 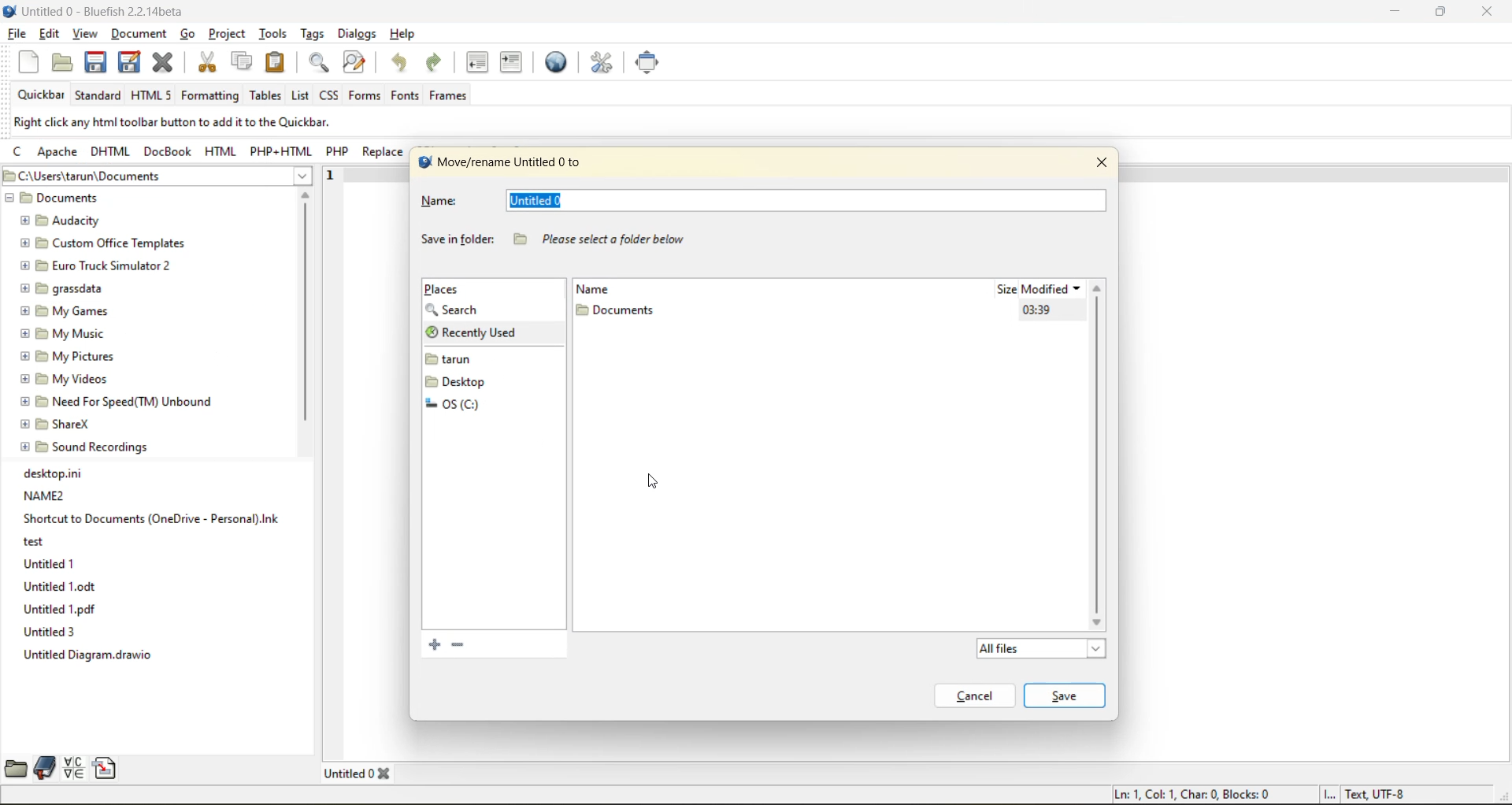 What do you see at coordinates (1445, 13) in the screenshot?
I see `maximize` at bounding box center [1445, 13].